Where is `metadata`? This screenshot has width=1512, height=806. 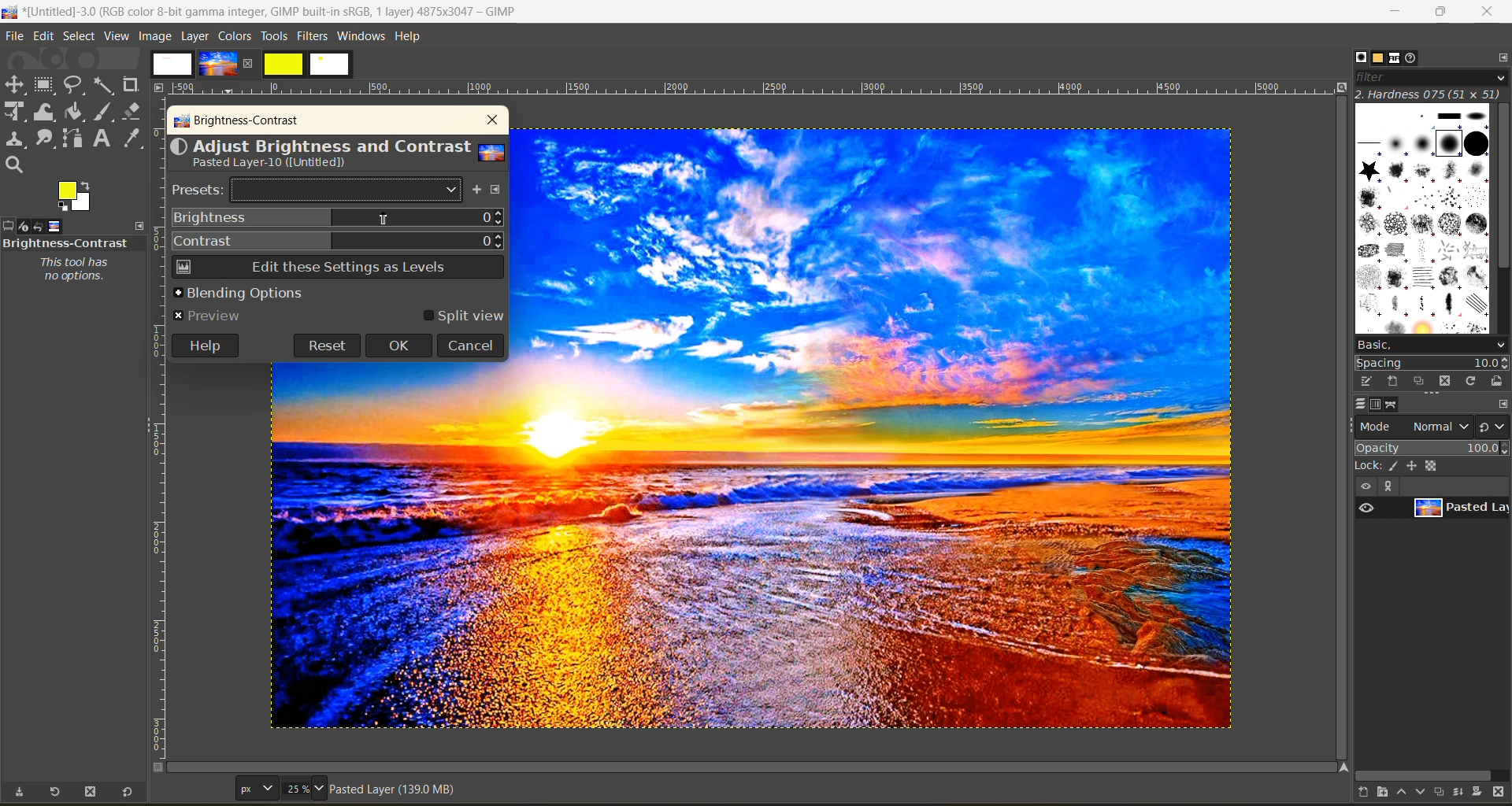 metadata is located at coordinates (396, 792).